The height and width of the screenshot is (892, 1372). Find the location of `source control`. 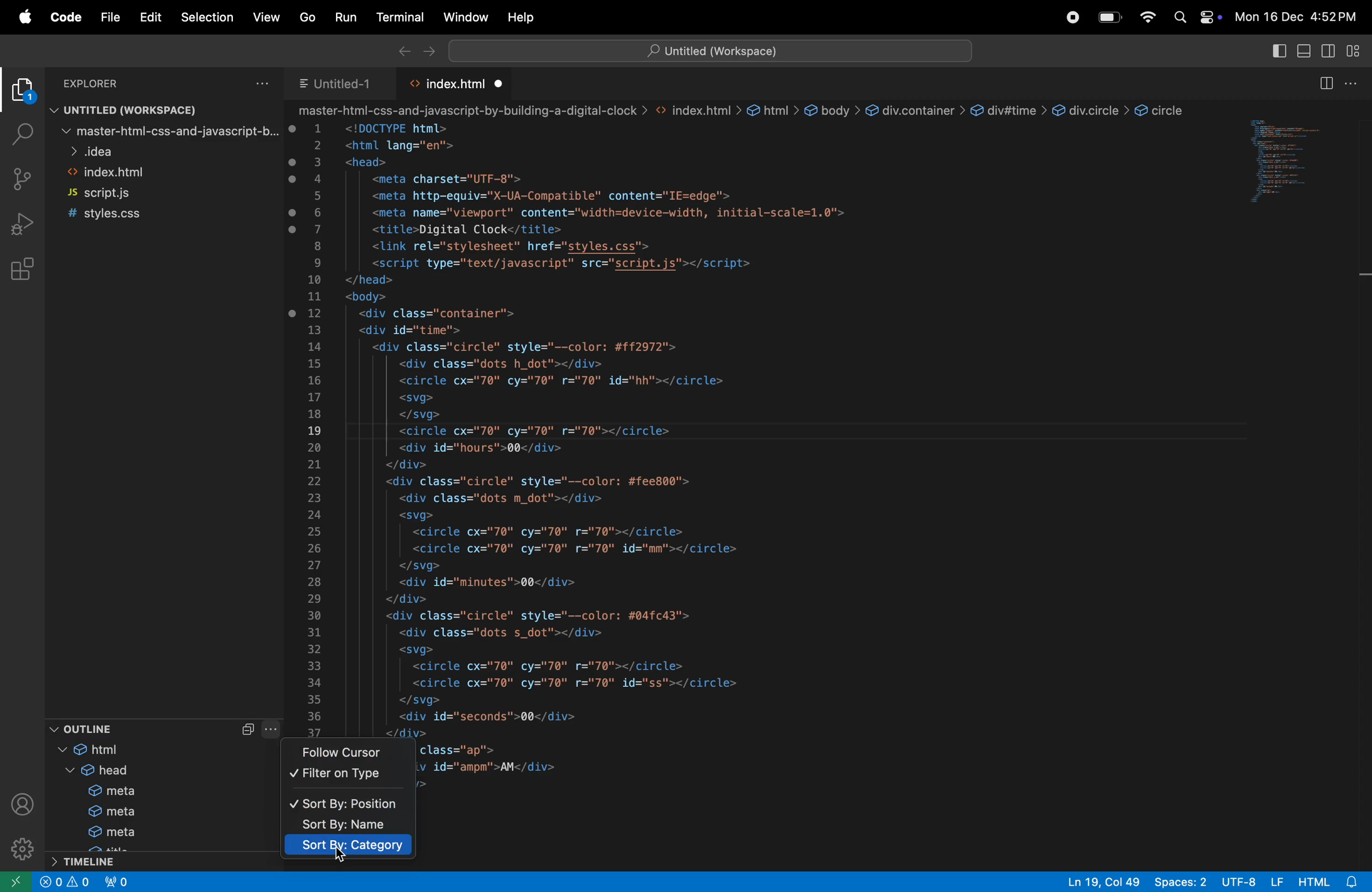

source control is located at coordinates (24, 179).